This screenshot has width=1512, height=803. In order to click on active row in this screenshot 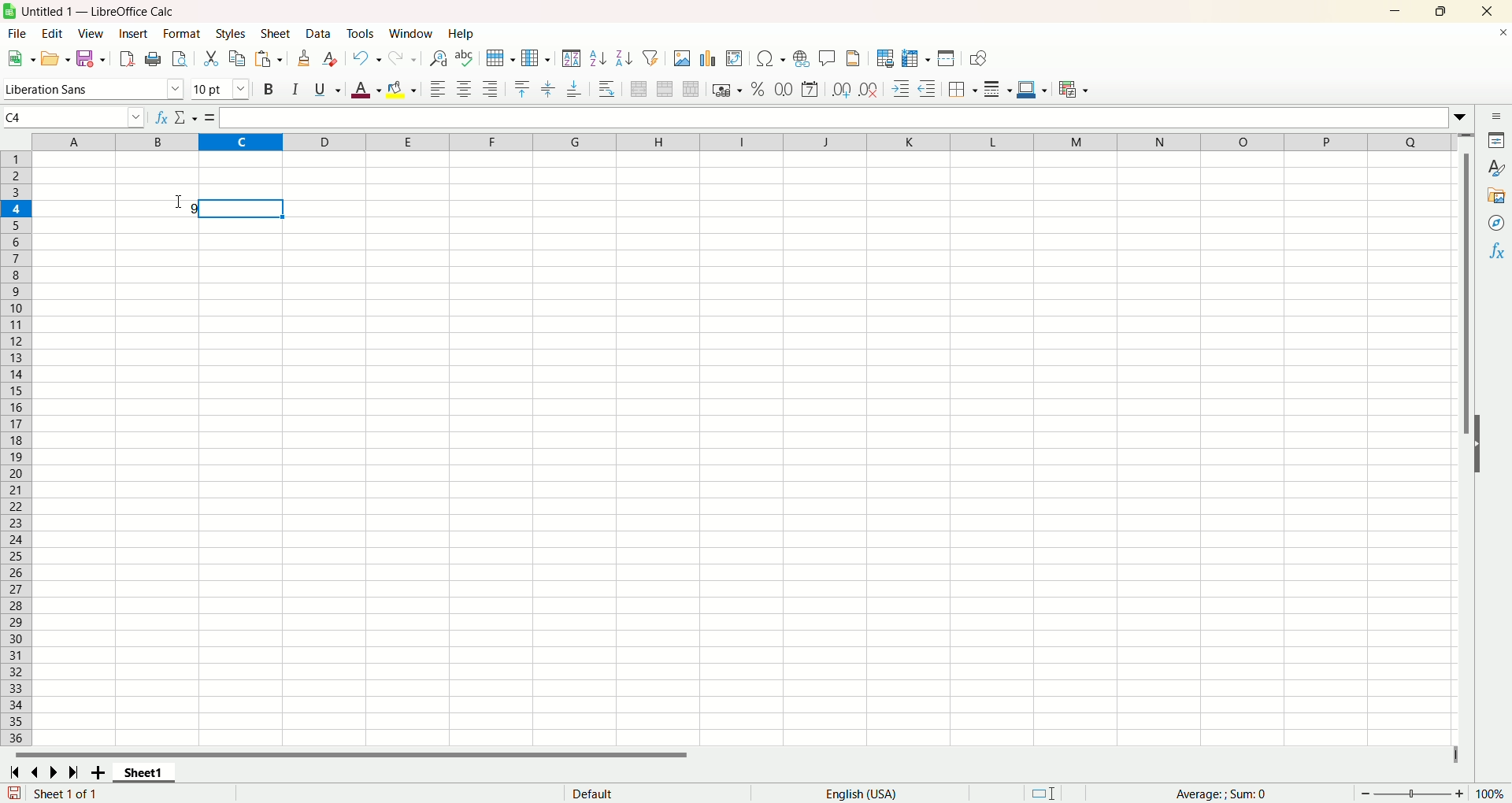, I will do `click(16, 208)`.